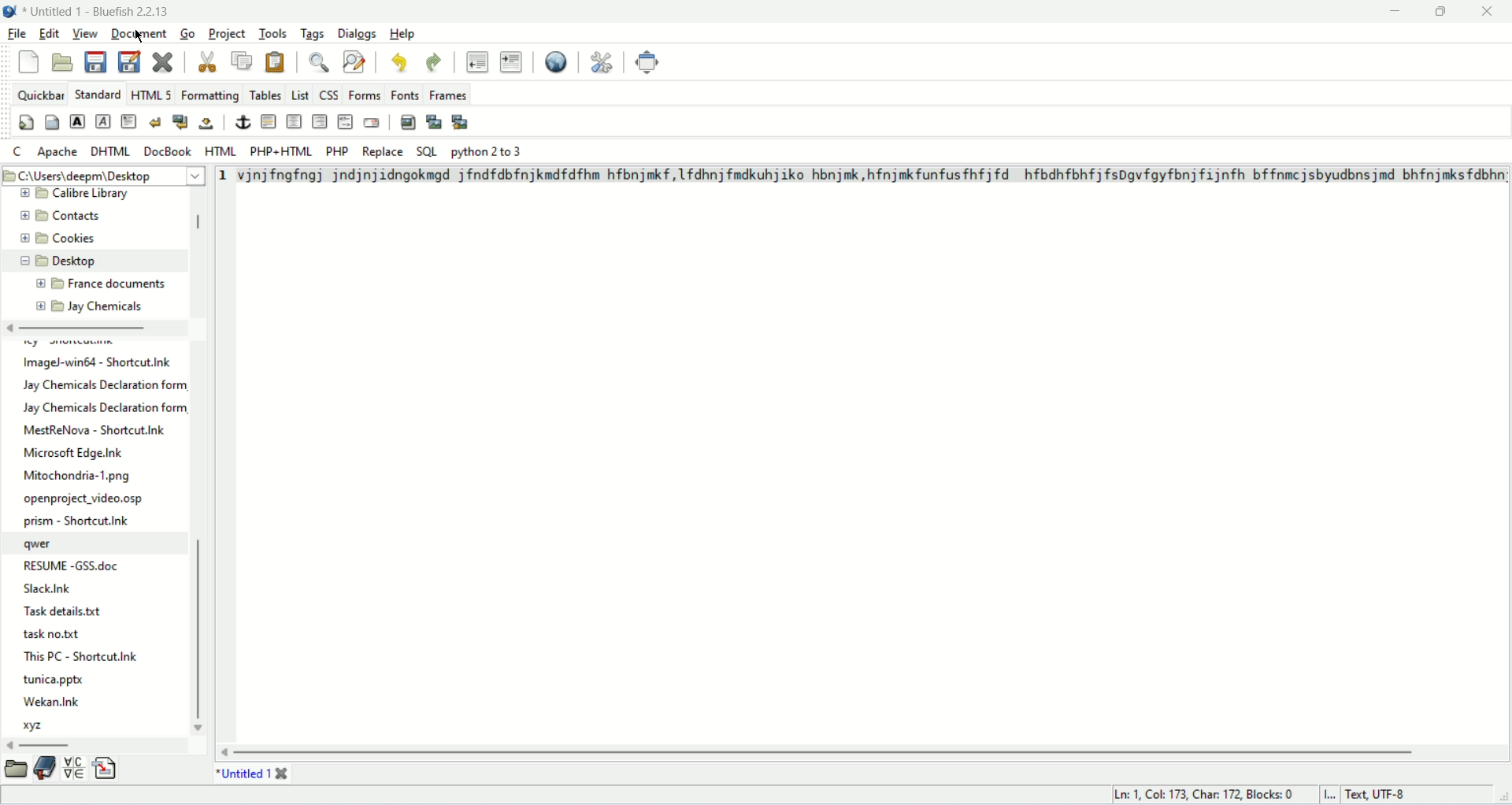  I want to click on horizontal scroll bar, so click(48, 744).